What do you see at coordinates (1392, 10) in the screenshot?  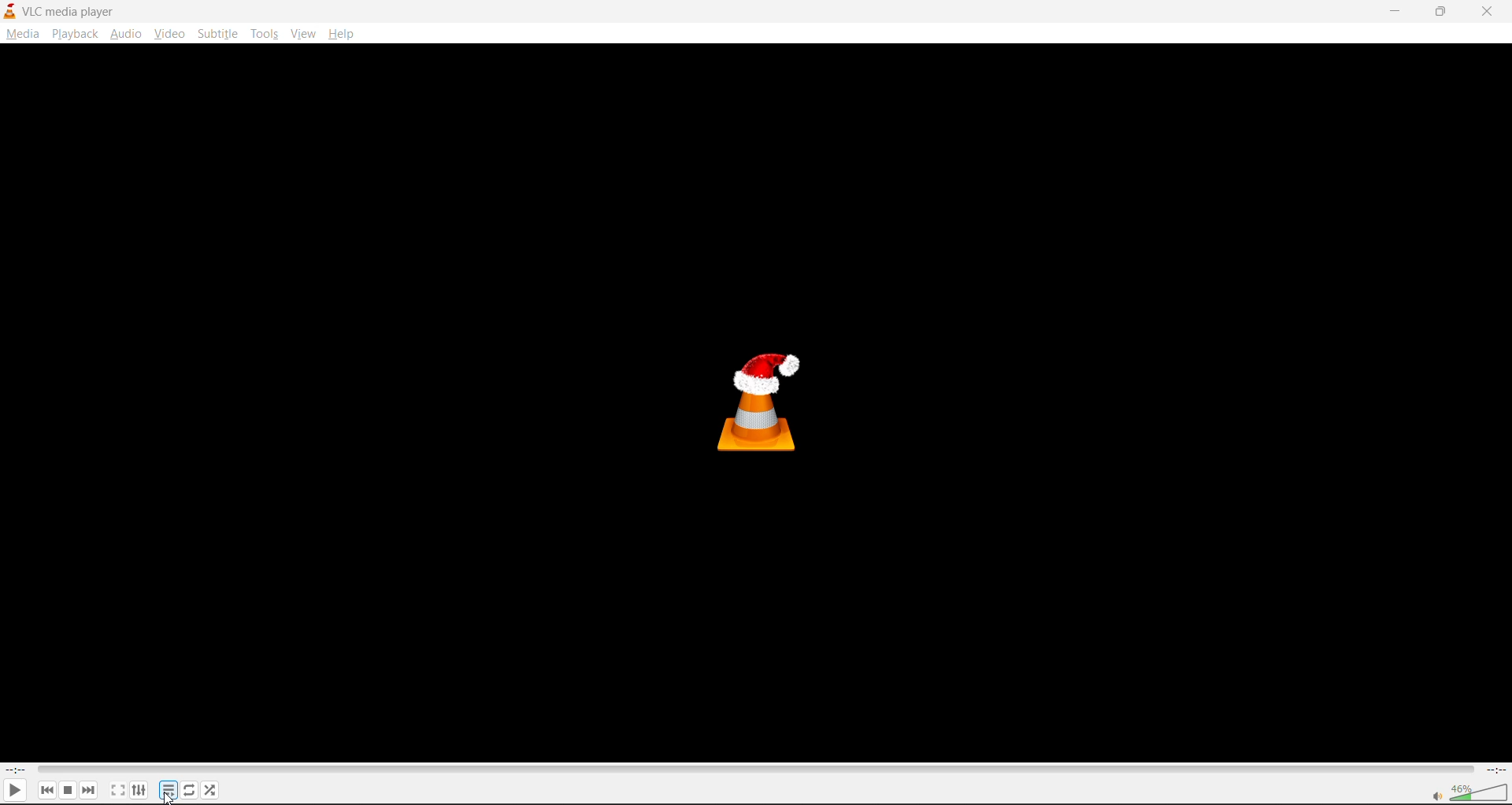 I see `minimize` at bounding box center [1392, 10].